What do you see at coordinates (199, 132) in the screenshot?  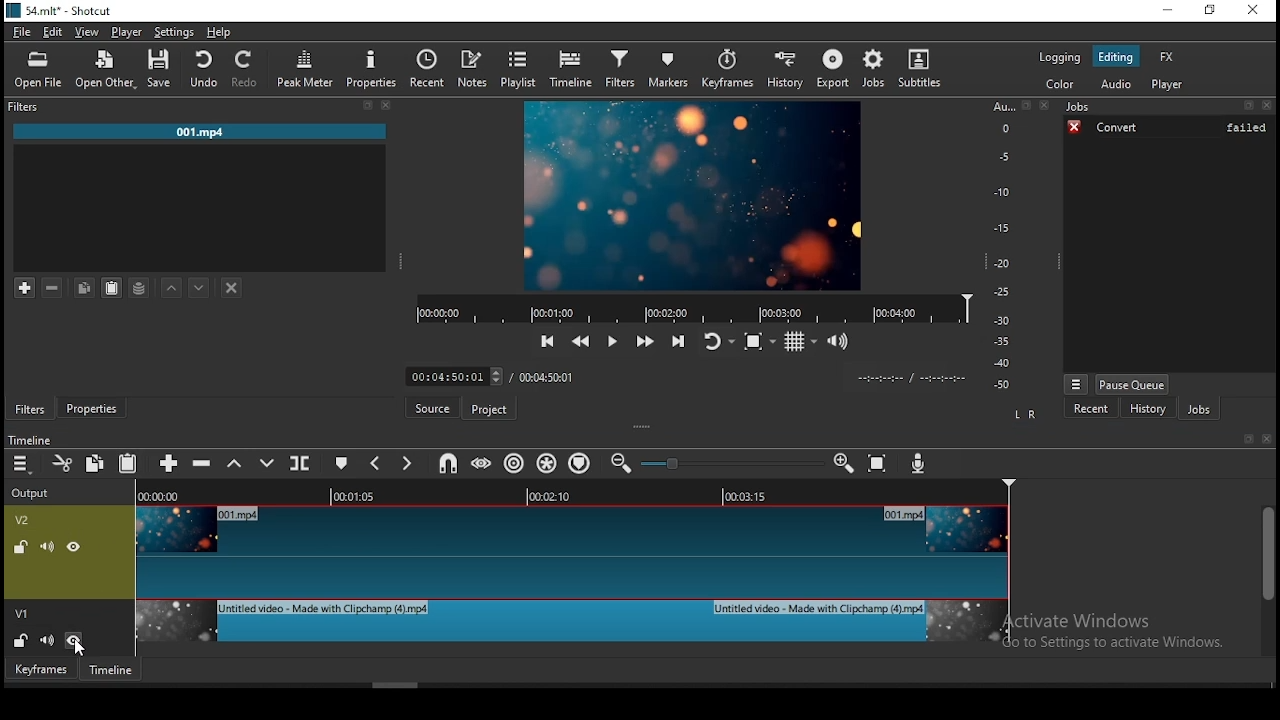 I see `001.MP4` at bounding box center [199, 132].